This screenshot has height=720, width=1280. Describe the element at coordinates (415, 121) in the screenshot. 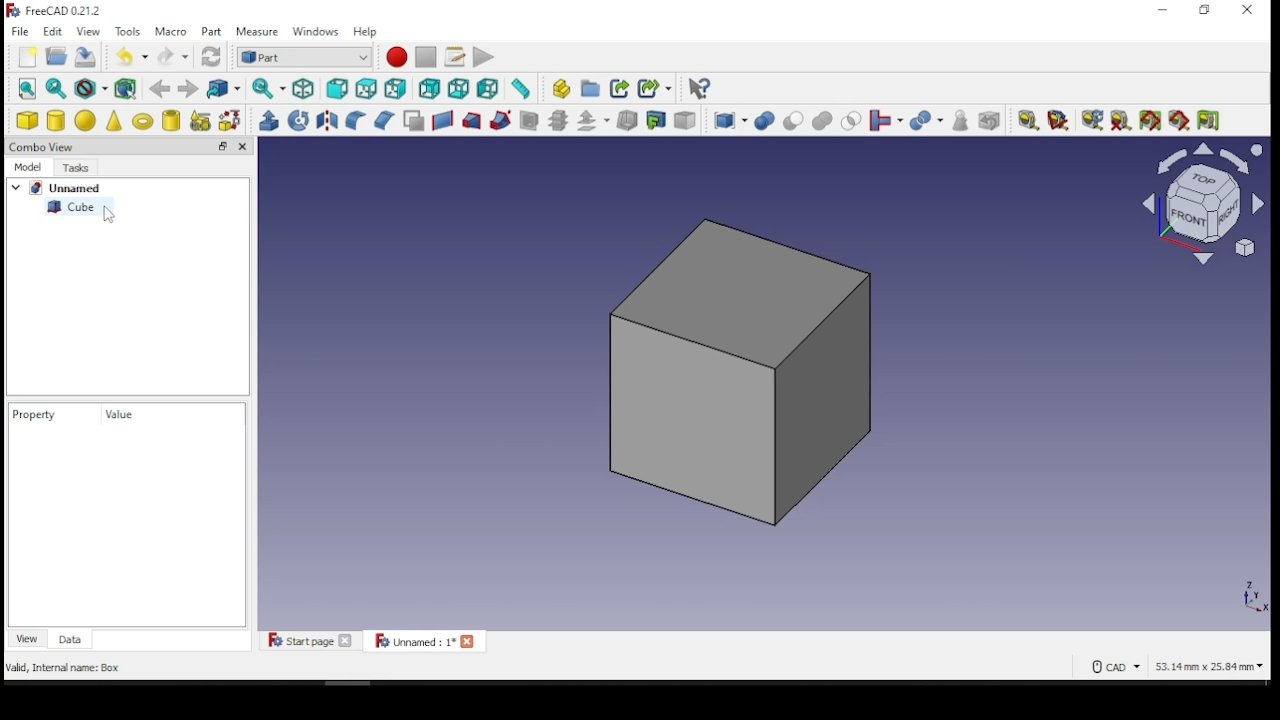

I see `make face from wires` at that location.